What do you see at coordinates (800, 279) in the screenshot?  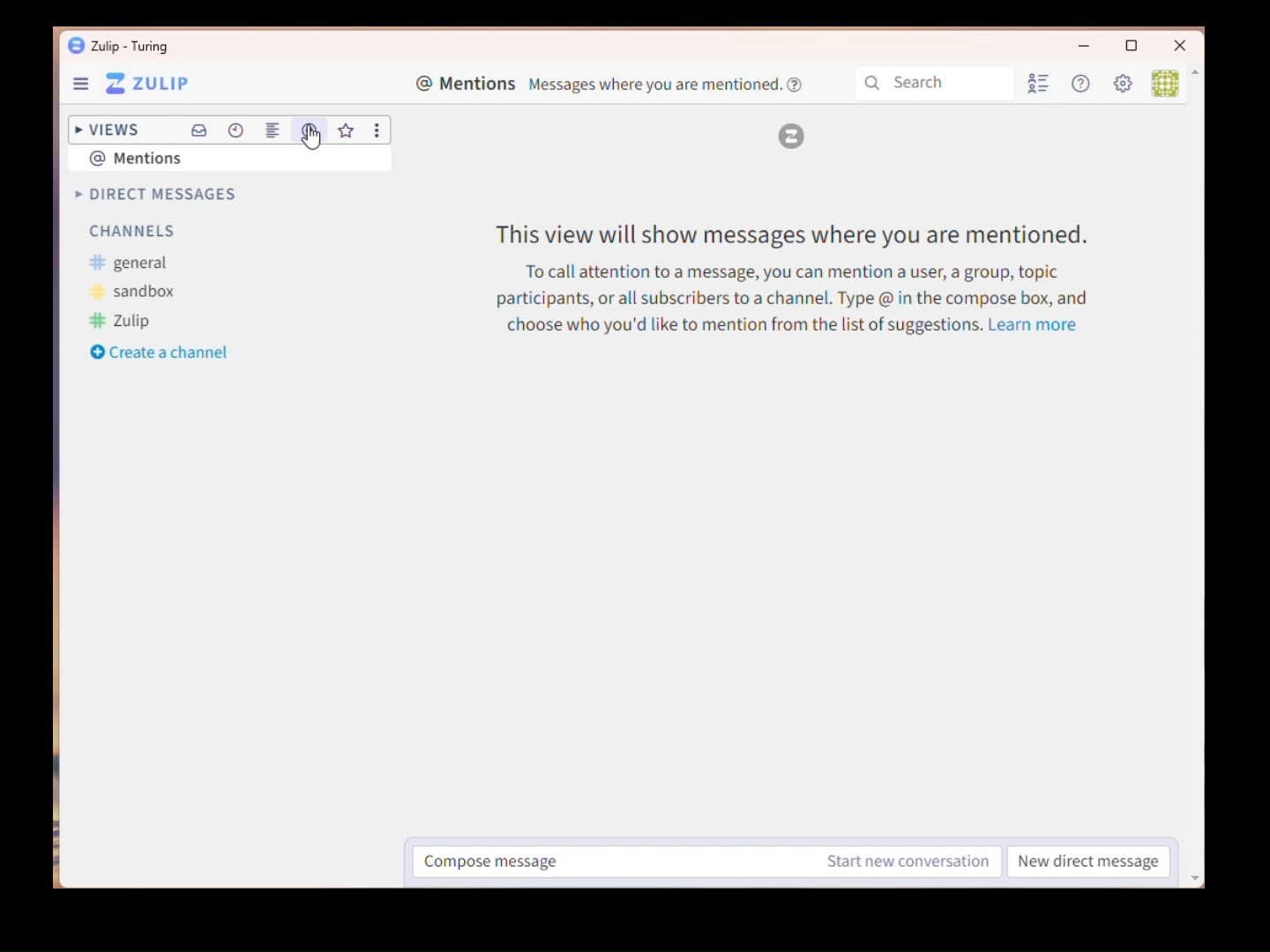 I see `on screen message` at bounding box center [800, 279].